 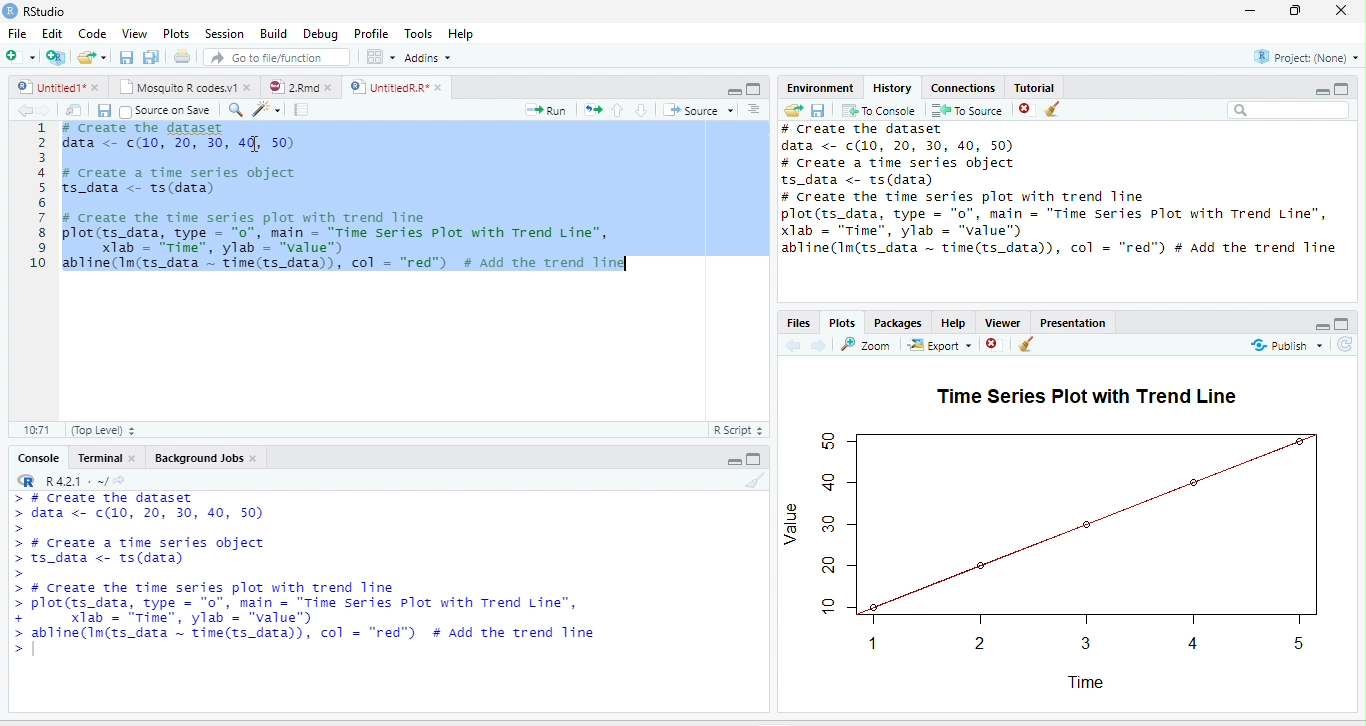 What do you see at coordinates (940, 345) in the screenshot?
I see `Export` at bounding box center [940, 345].